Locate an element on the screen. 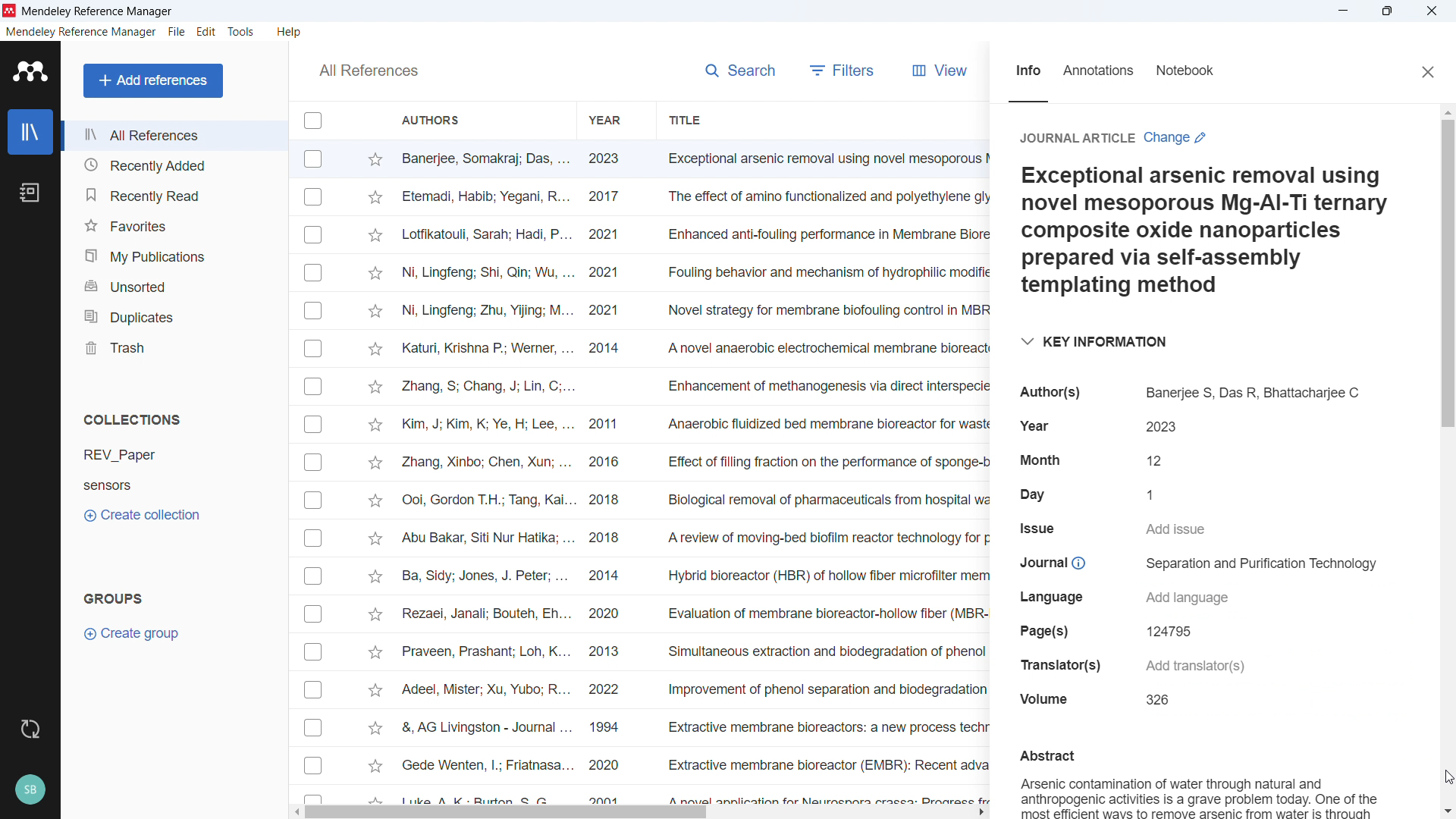 The width and height of the screenshot is (1456, 819). Authors  is located at coordinates (475, 119).